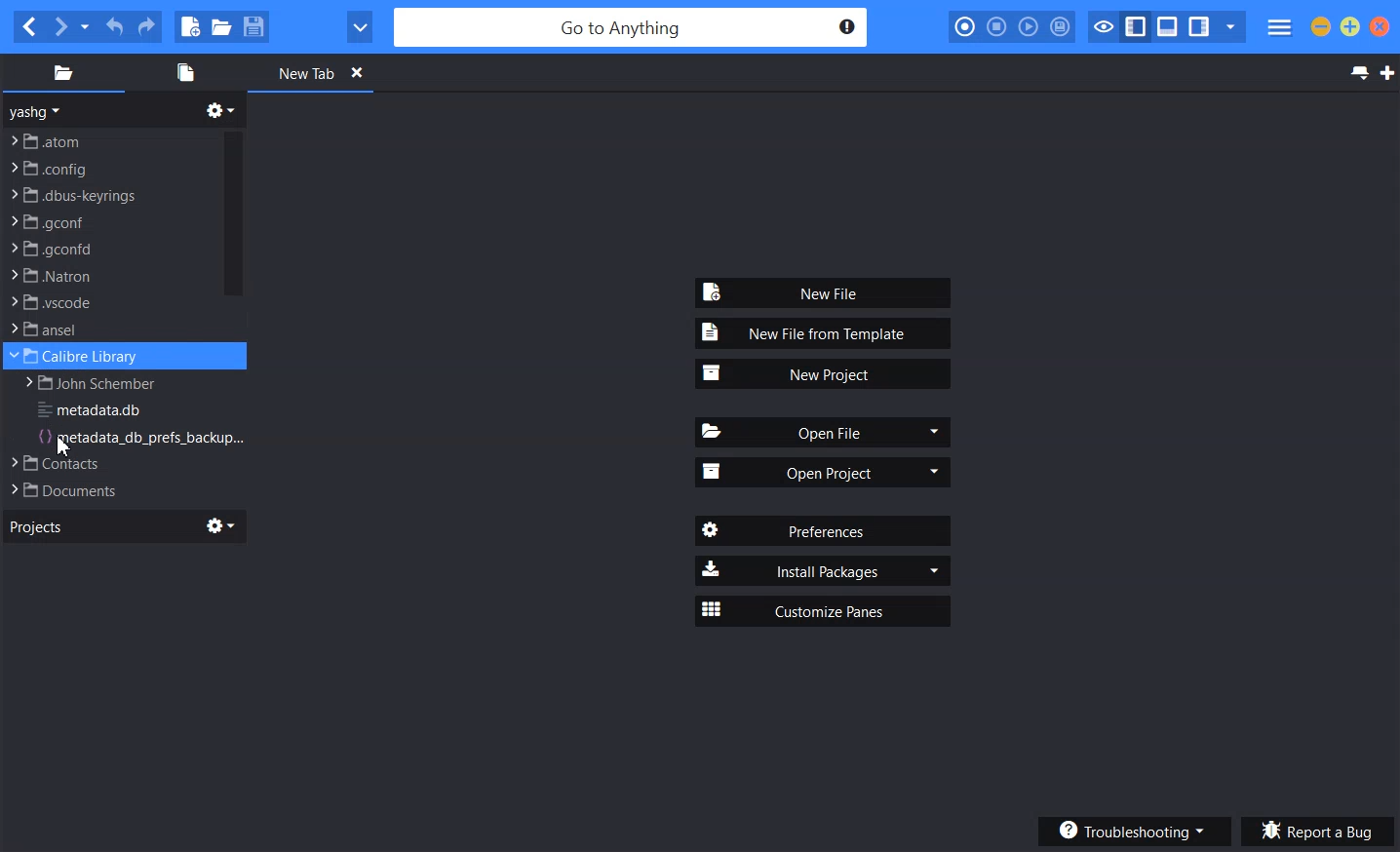 The image size is (1400, 852). What do you see at coordinates (1132, 829) in the screenshot?
I see `Troubleshooting` at bounding box center [1132, 829].